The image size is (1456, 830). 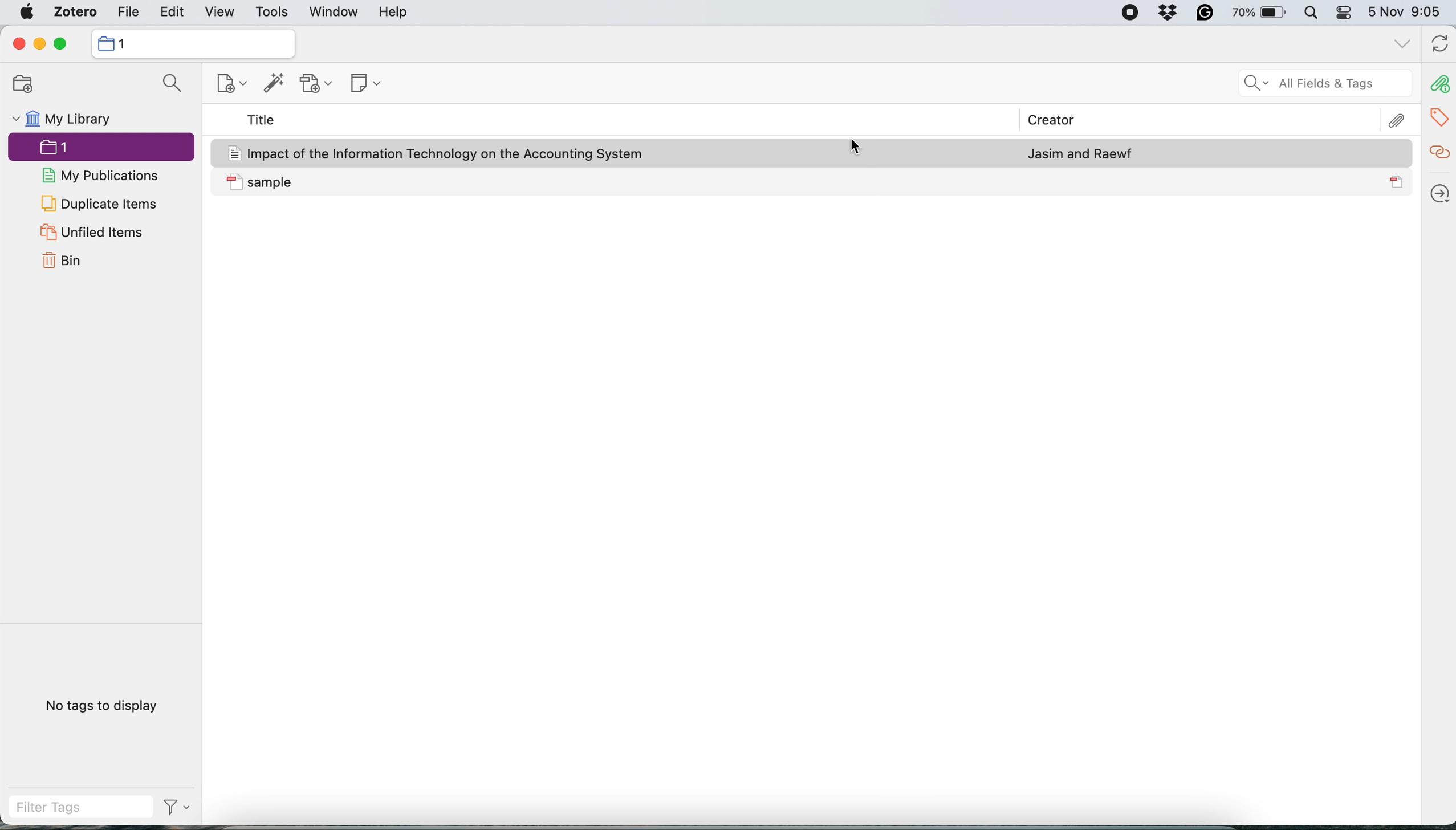 What do you see at coordinates (814, 152) in the screenshot?
I see `Impact of the Information Technology on the Accounting System  Jasim and Raewf` at bounding box center [814, 152].